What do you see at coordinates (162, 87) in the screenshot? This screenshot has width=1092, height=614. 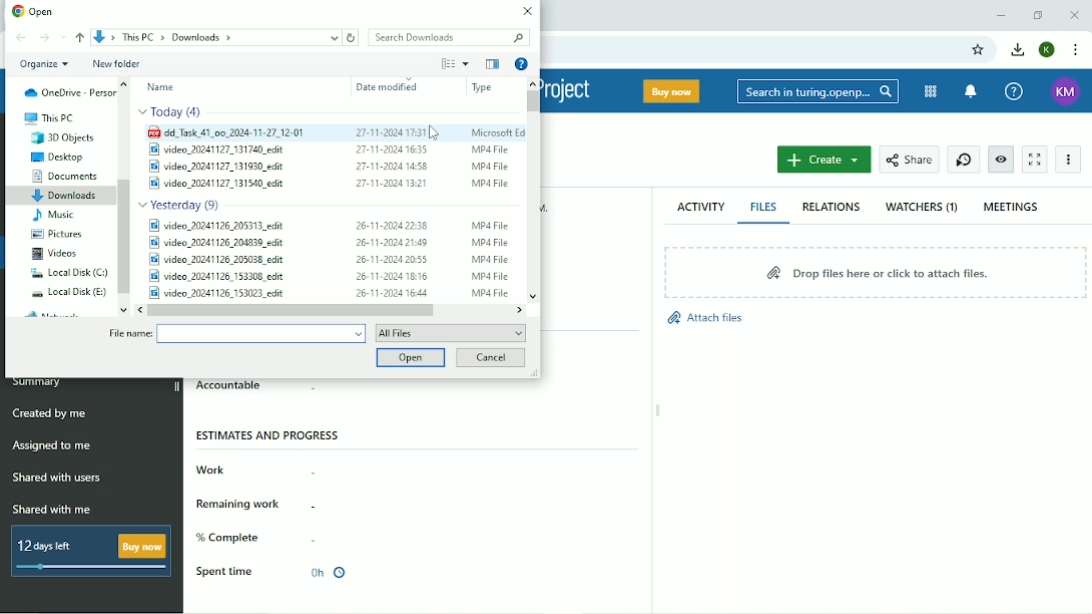 I see `Name` at bounding box center [162, 87].